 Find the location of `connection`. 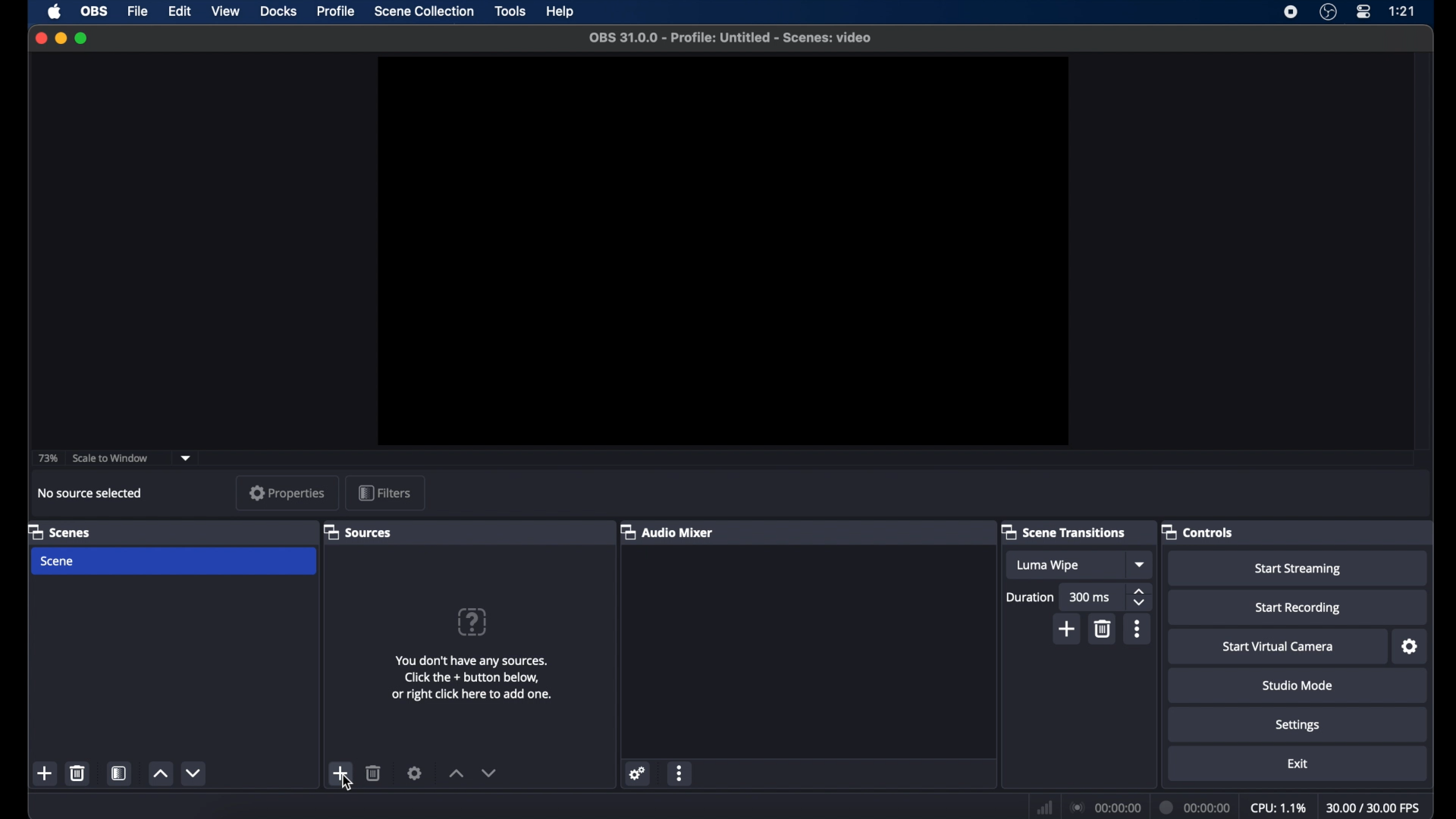

connection is located at coordinates (1103, 808).